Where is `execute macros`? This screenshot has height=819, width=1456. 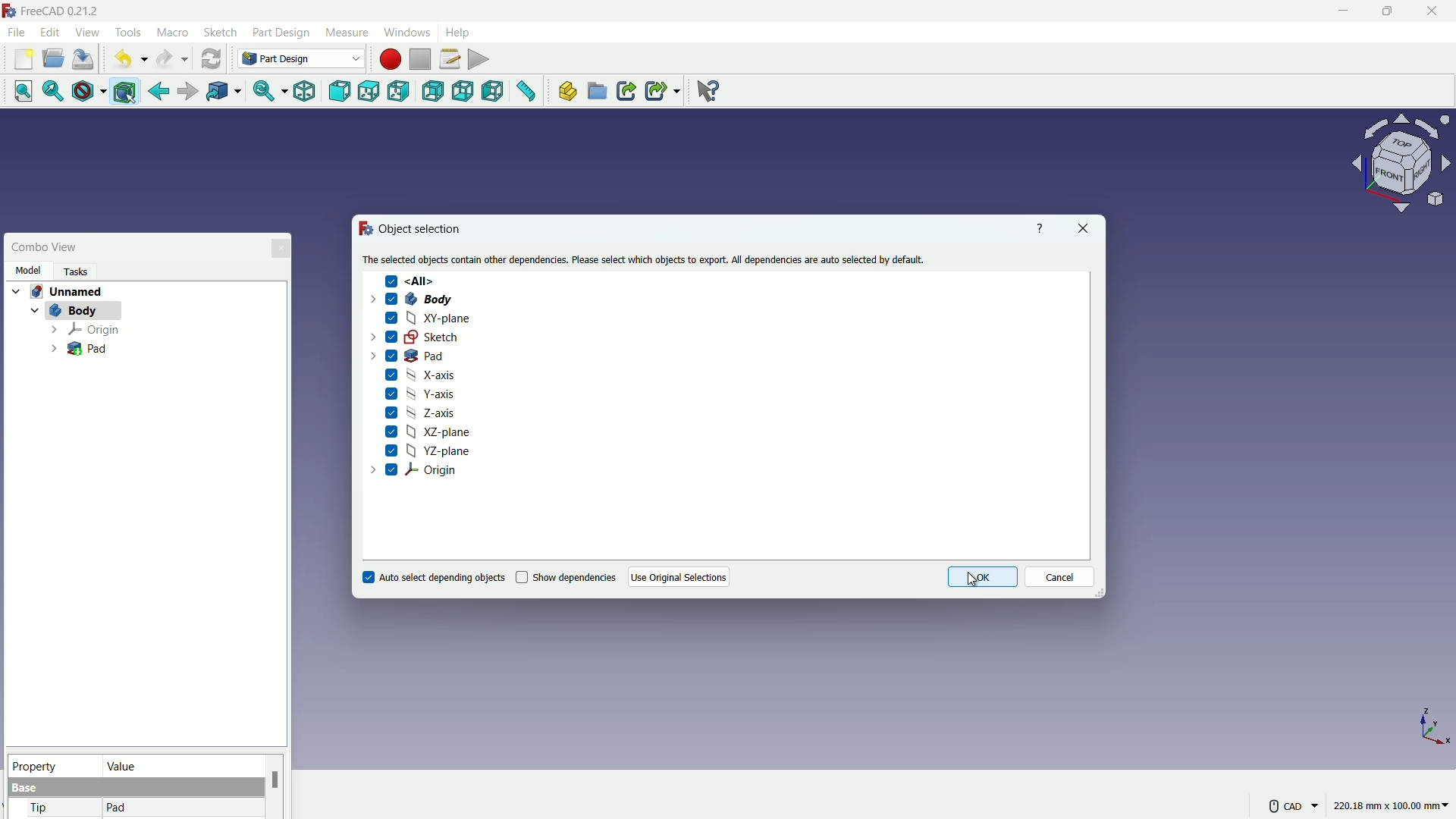 execute macros is located at coordinates (480, 58).